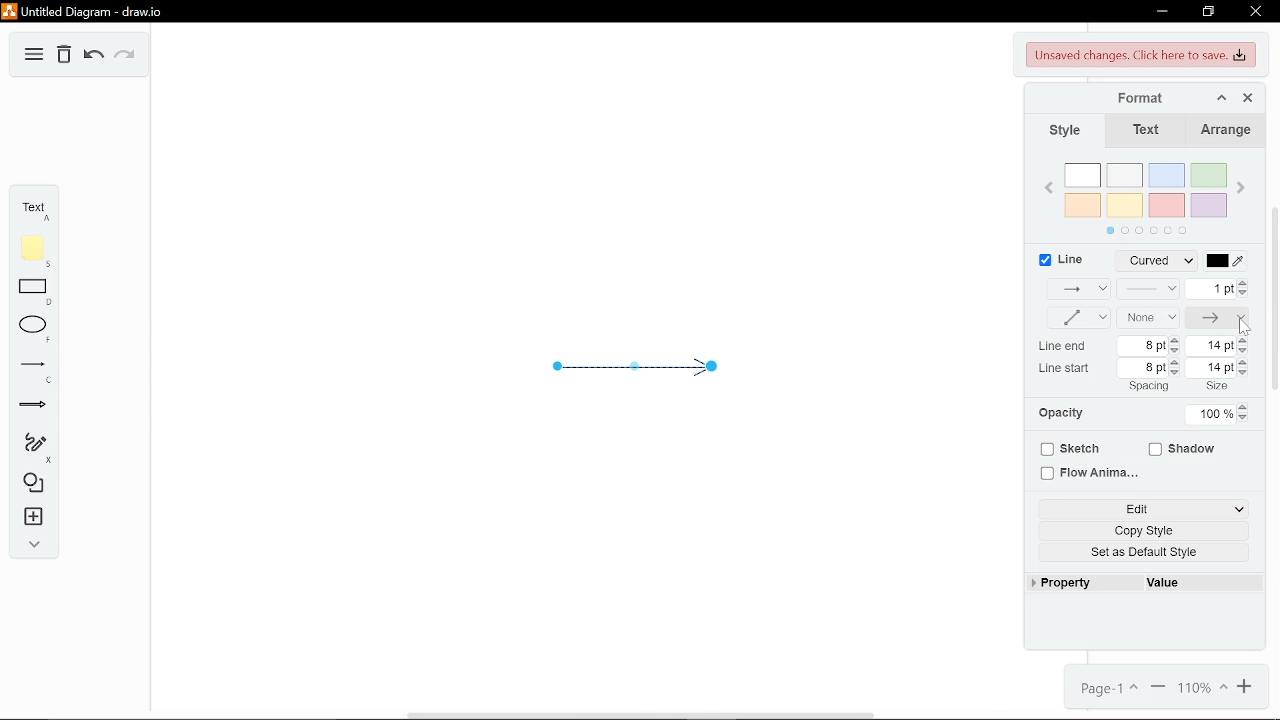 Image resolution: width=1280 pixels, height=720 pixels. Describe the element at coordinates (1244, 688) in the screenshot. I see `Zoom in` at that location.